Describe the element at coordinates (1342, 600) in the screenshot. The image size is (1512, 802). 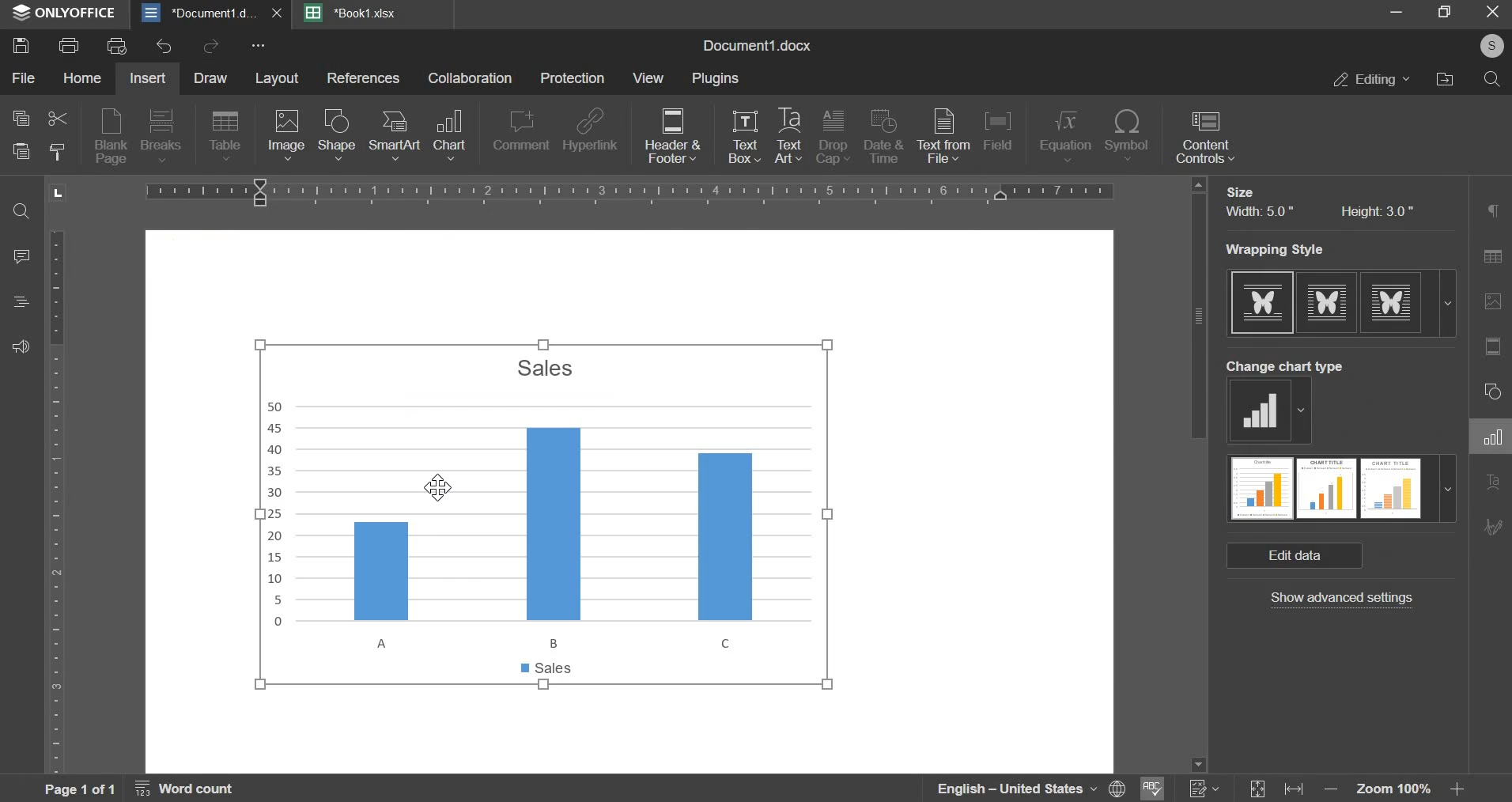
I see `show advanced settings` at that location.